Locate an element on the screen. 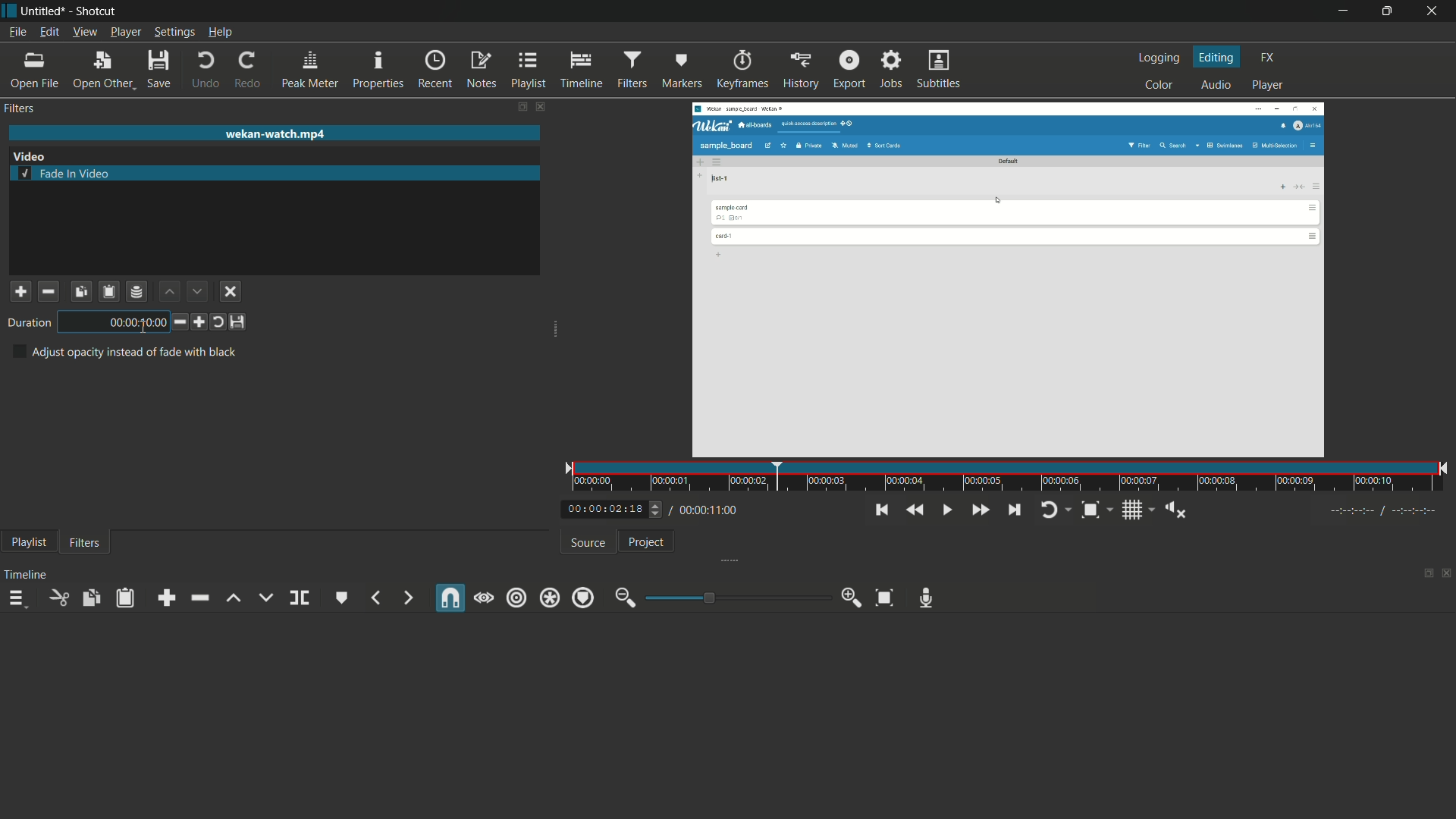 Image resolution: width=1456 pixels, height=819 pixels. timeline is located at coordinates (26, 575).